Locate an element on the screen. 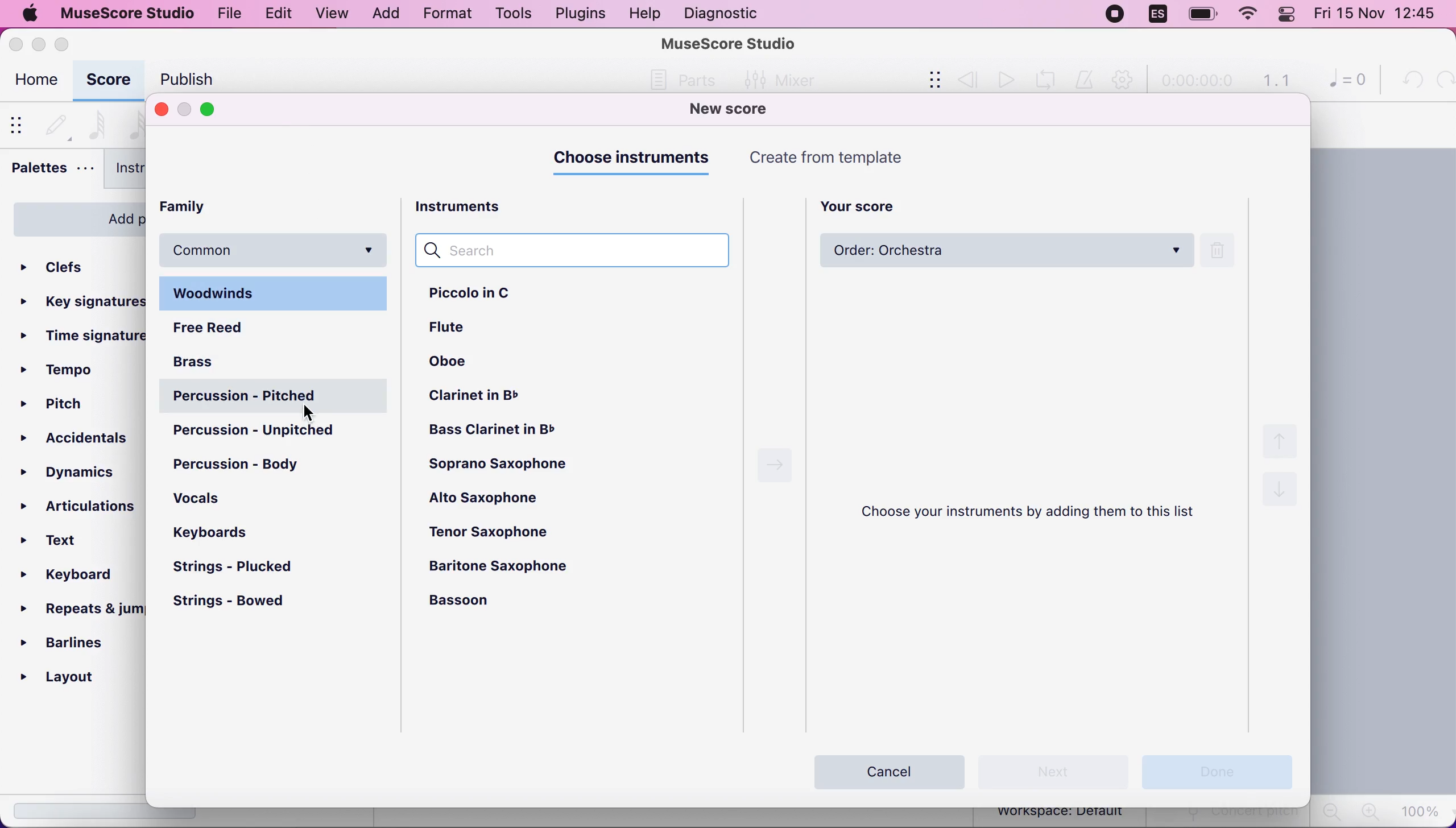 The image size is (1456, 828). zoom in is located at coordinates (1368, 812).